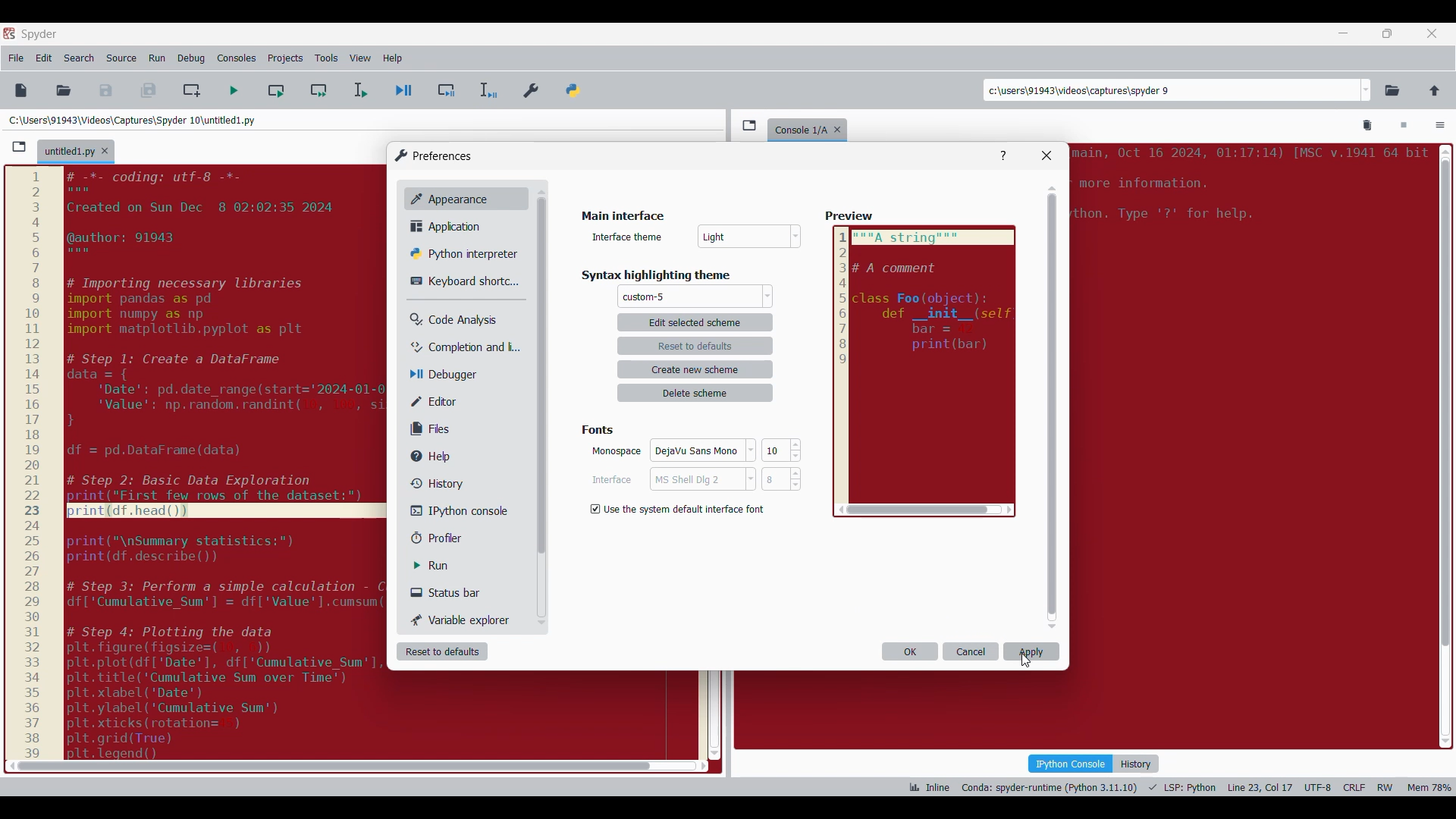 The width and height of the screenshot is (1456, 819). I want to click on Tools menu, so click(326, 58).